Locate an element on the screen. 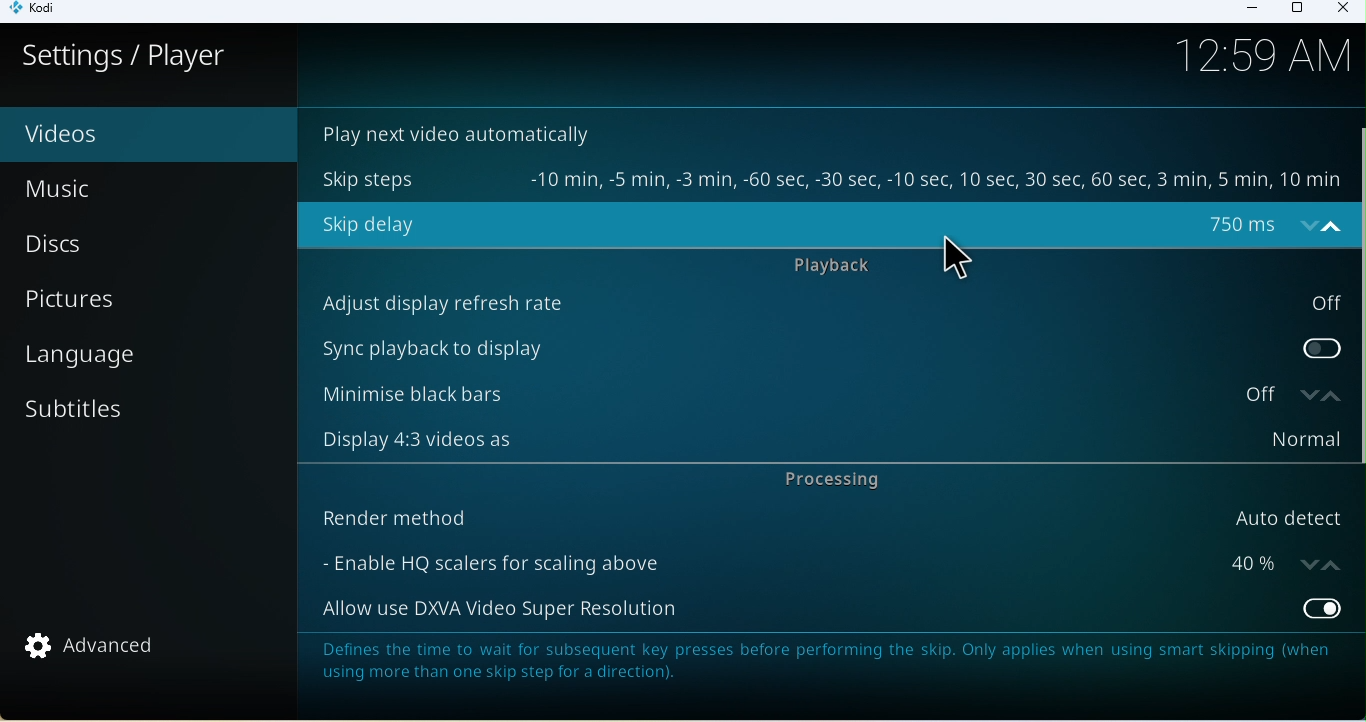 The image size is (1366, 722). Skip delay is located at coordinates (798, 224).